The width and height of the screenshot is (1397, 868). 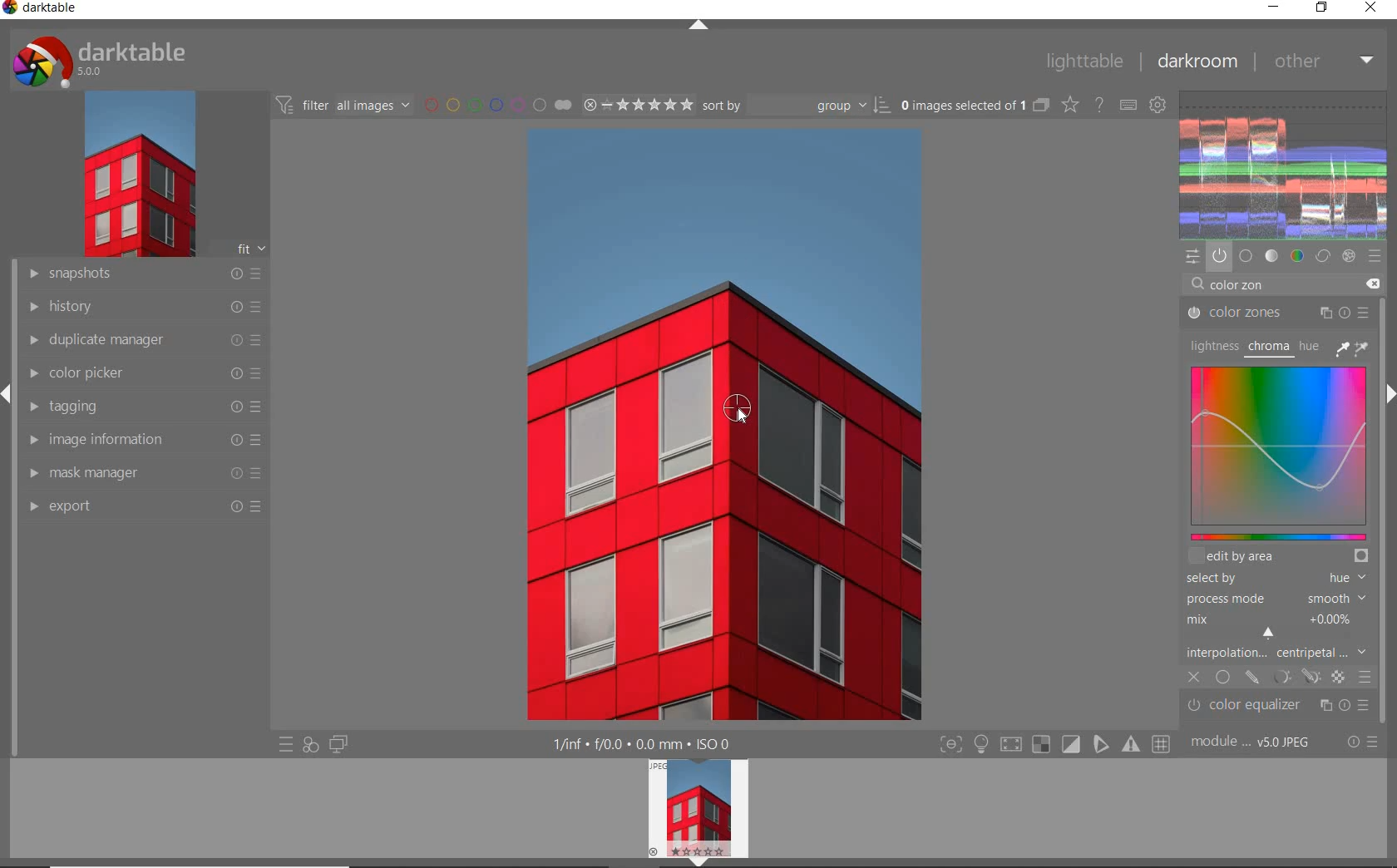 I want to click on color, so click(x=1296, y=256).